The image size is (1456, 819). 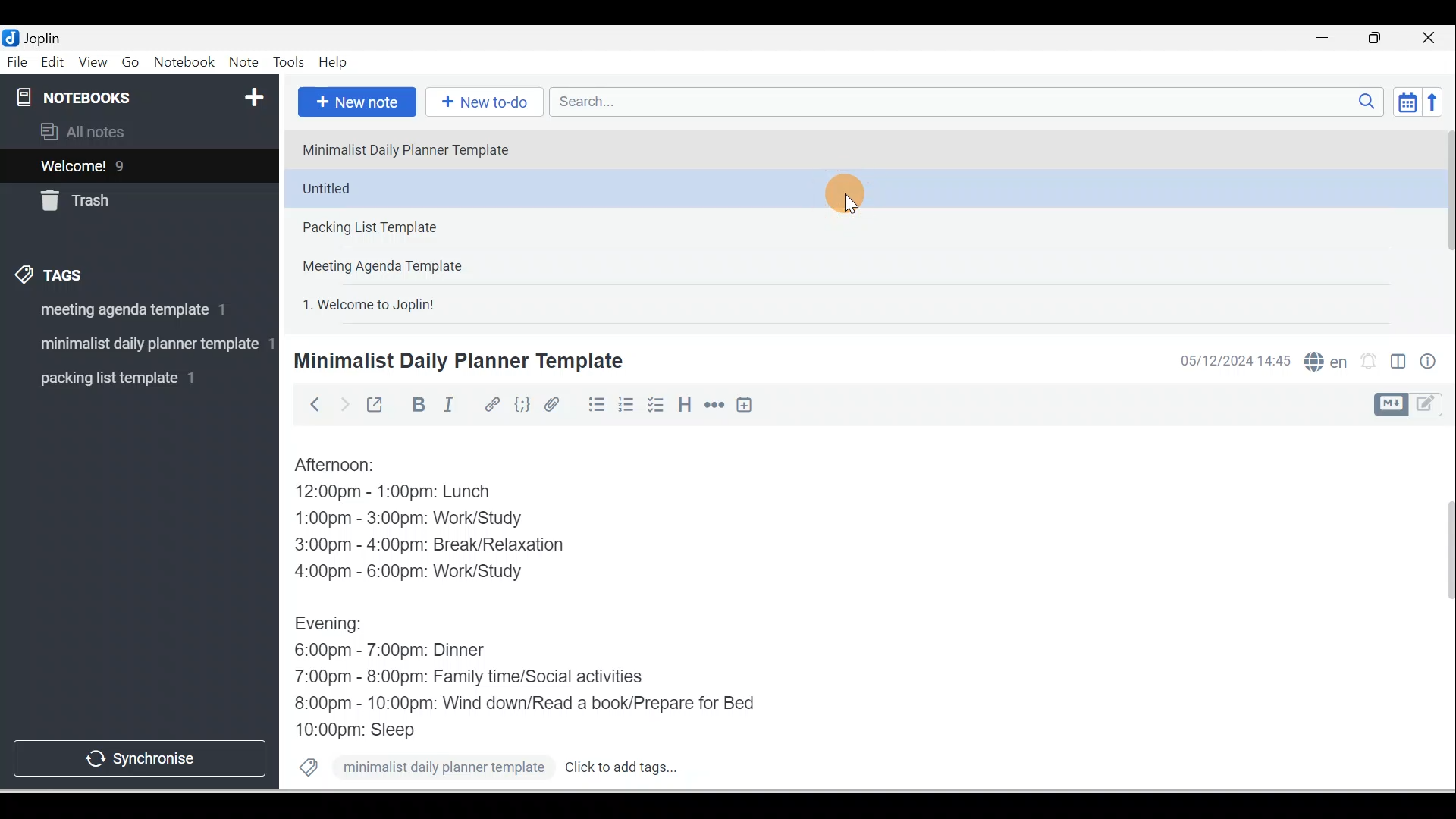 What do you see at coordinates (54, 63) in the screenshot?
I see `Edit` at bounding box center [54, 63].